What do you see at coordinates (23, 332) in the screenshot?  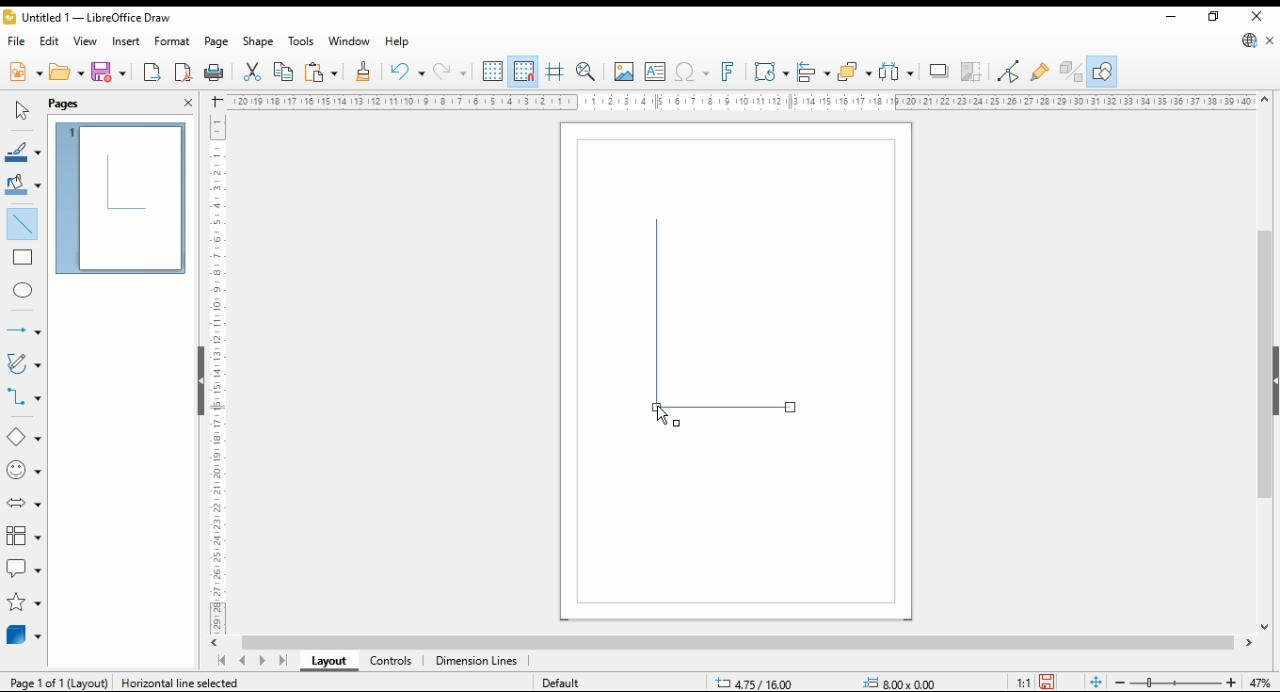 I see `lines and arrows` at bounding box center [23, 332].